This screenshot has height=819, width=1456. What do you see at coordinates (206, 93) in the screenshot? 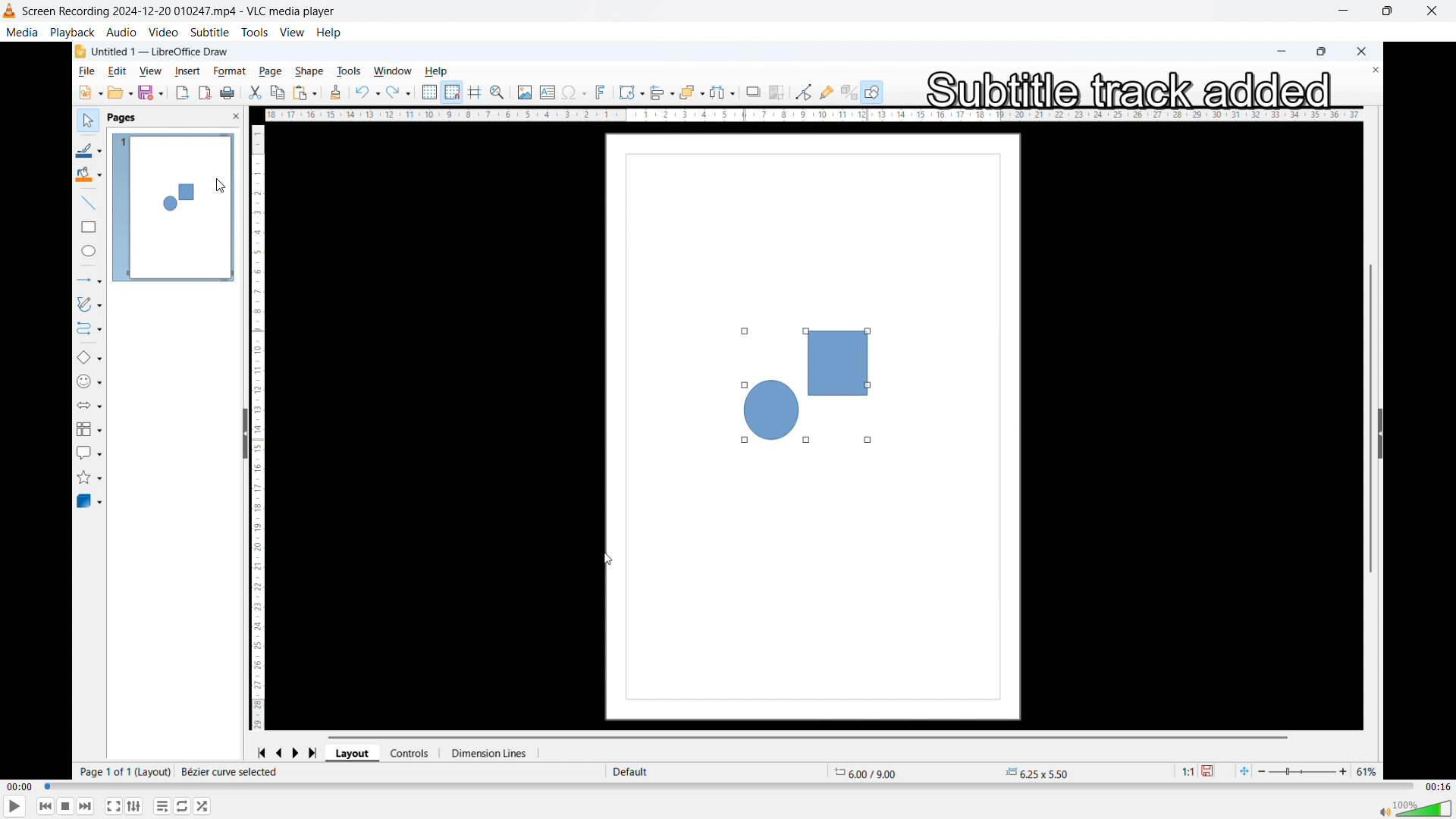
I see `export directly as pdf` at bounding box center [206, 93].